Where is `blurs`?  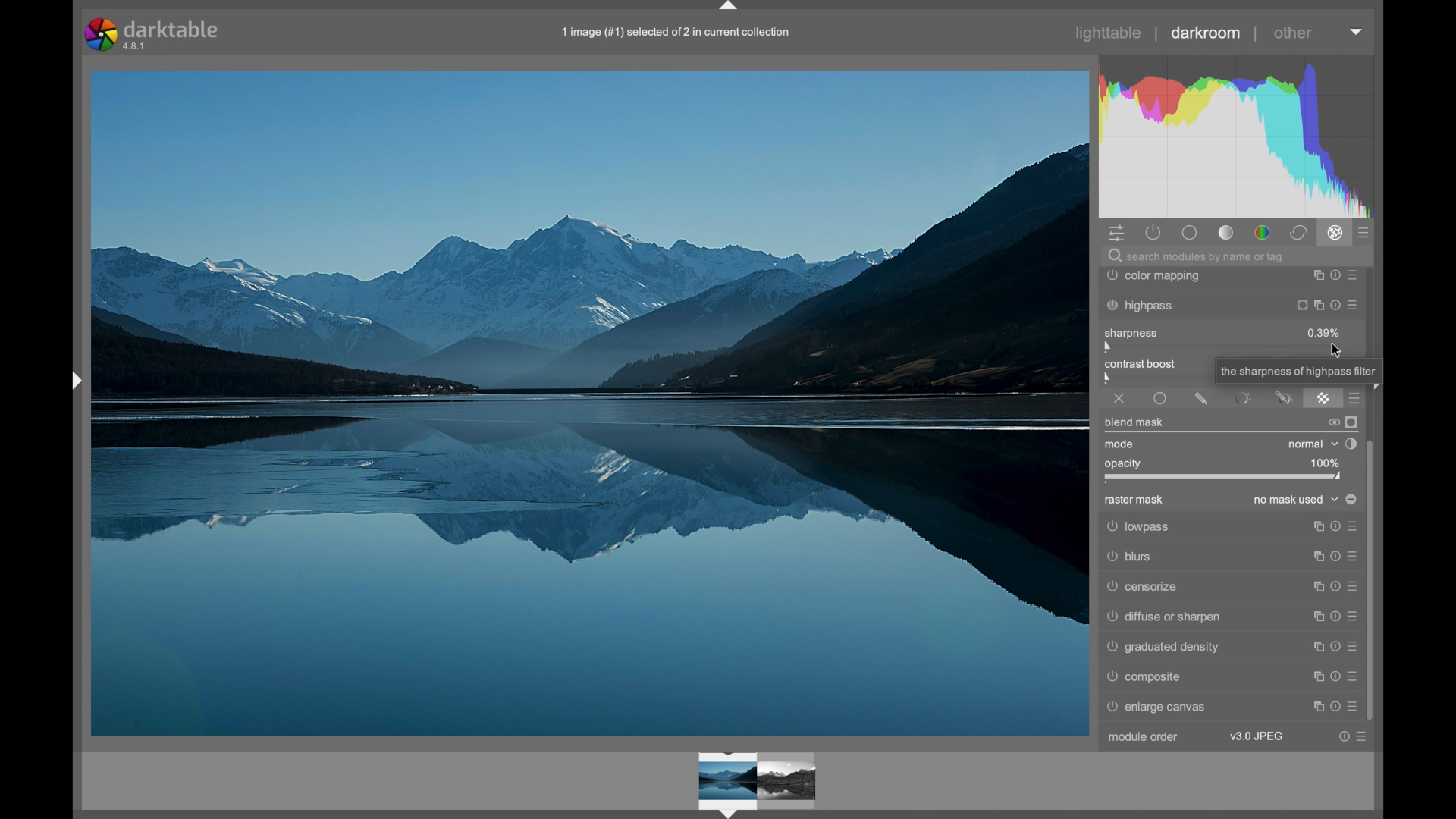
blurs is located at coordinates (1228, 558).